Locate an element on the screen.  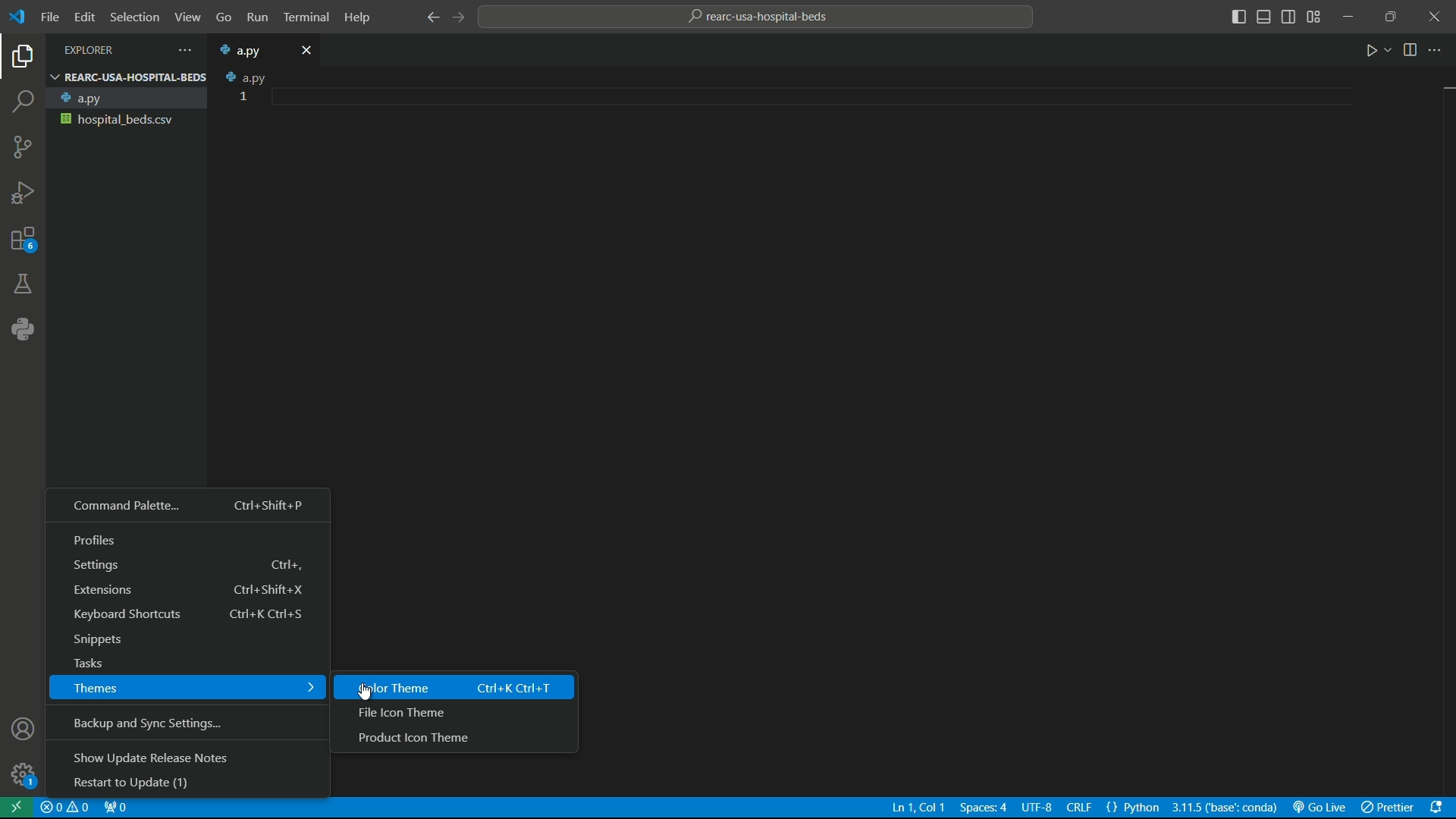
close app is located at coordinates (1435, 17).